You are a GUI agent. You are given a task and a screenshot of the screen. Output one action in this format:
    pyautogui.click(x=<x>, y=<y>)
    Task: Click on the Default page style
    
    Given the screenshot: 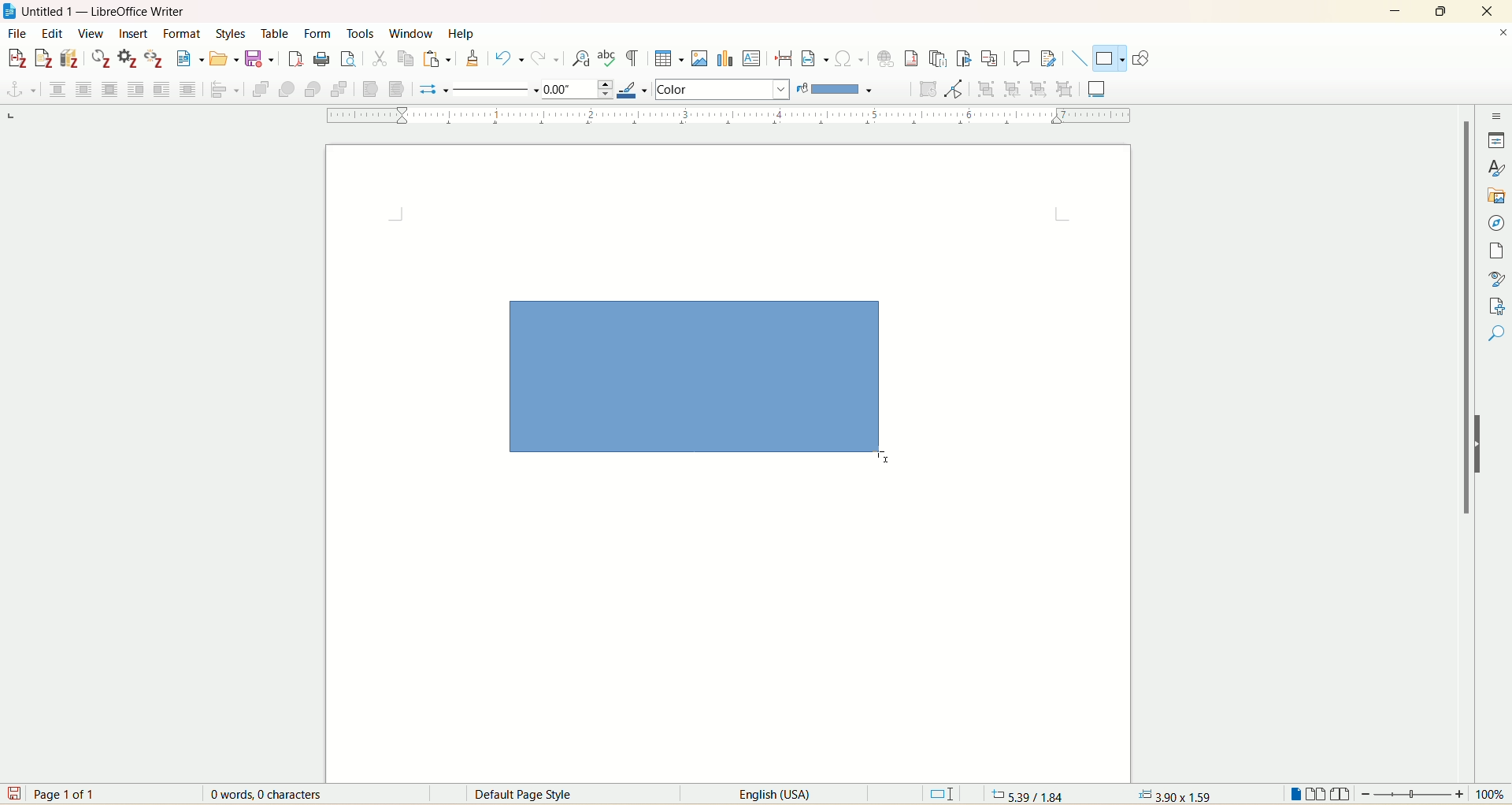 What is the action you would take?
    pyautogui.click(x=535, y=795)
    